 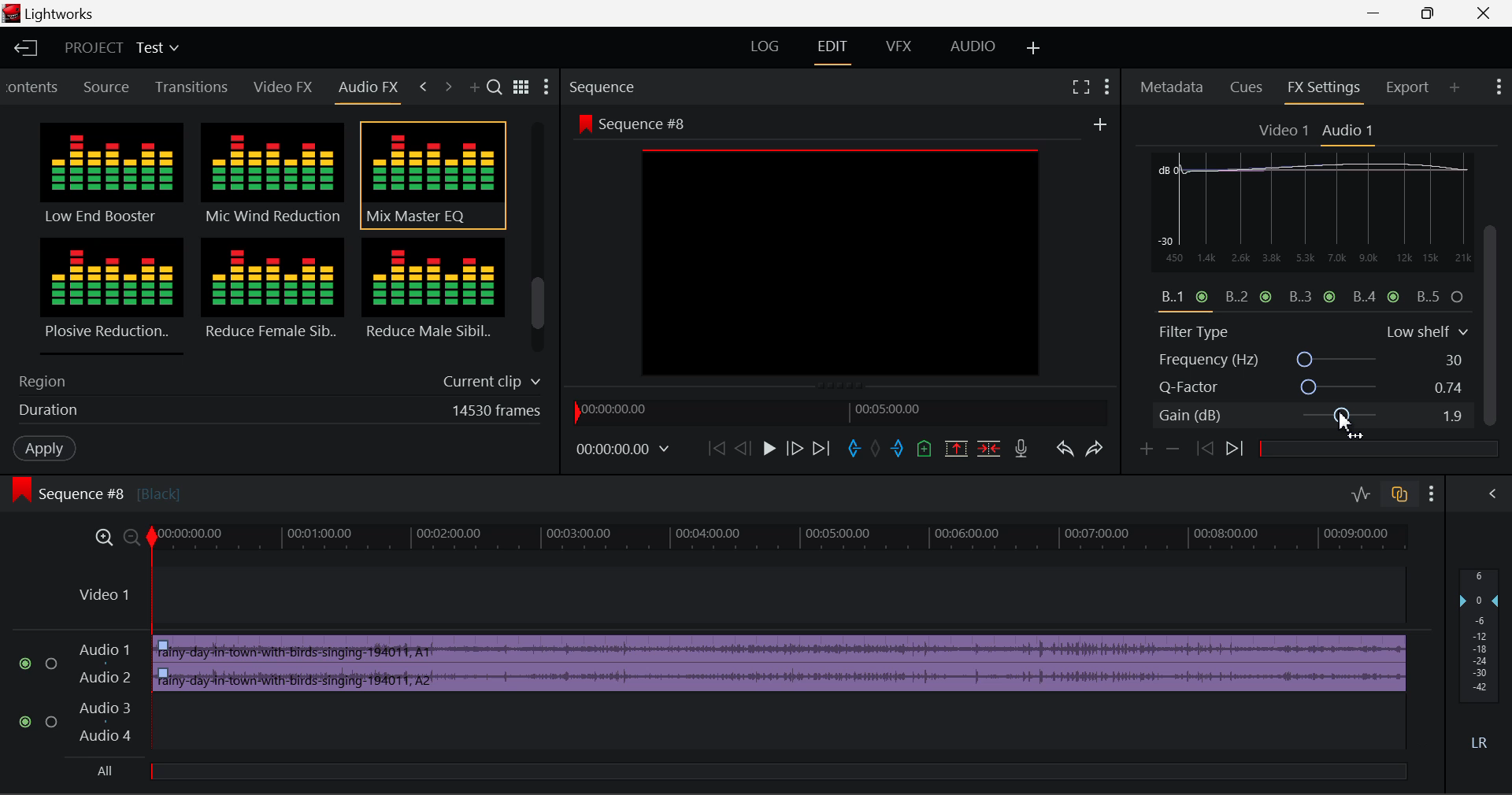 I want to click on Audio FX , so click(x=369, y=87).